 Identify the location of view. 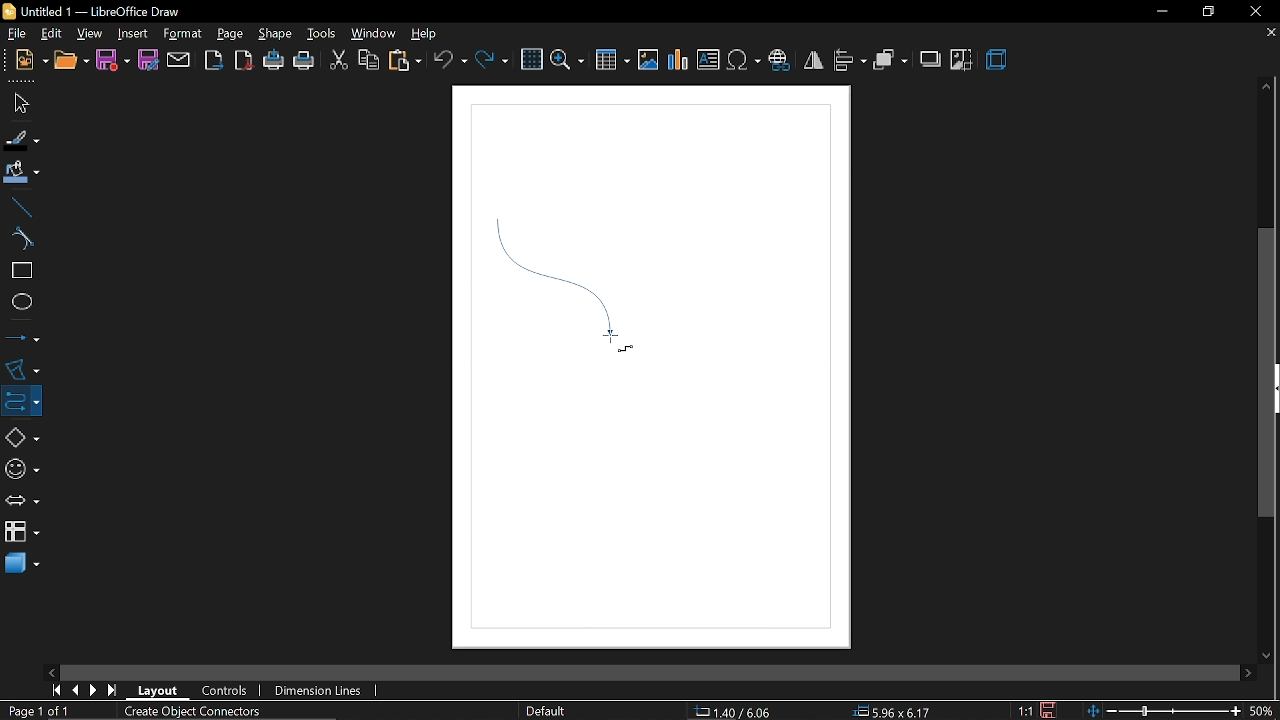
(90, 32).